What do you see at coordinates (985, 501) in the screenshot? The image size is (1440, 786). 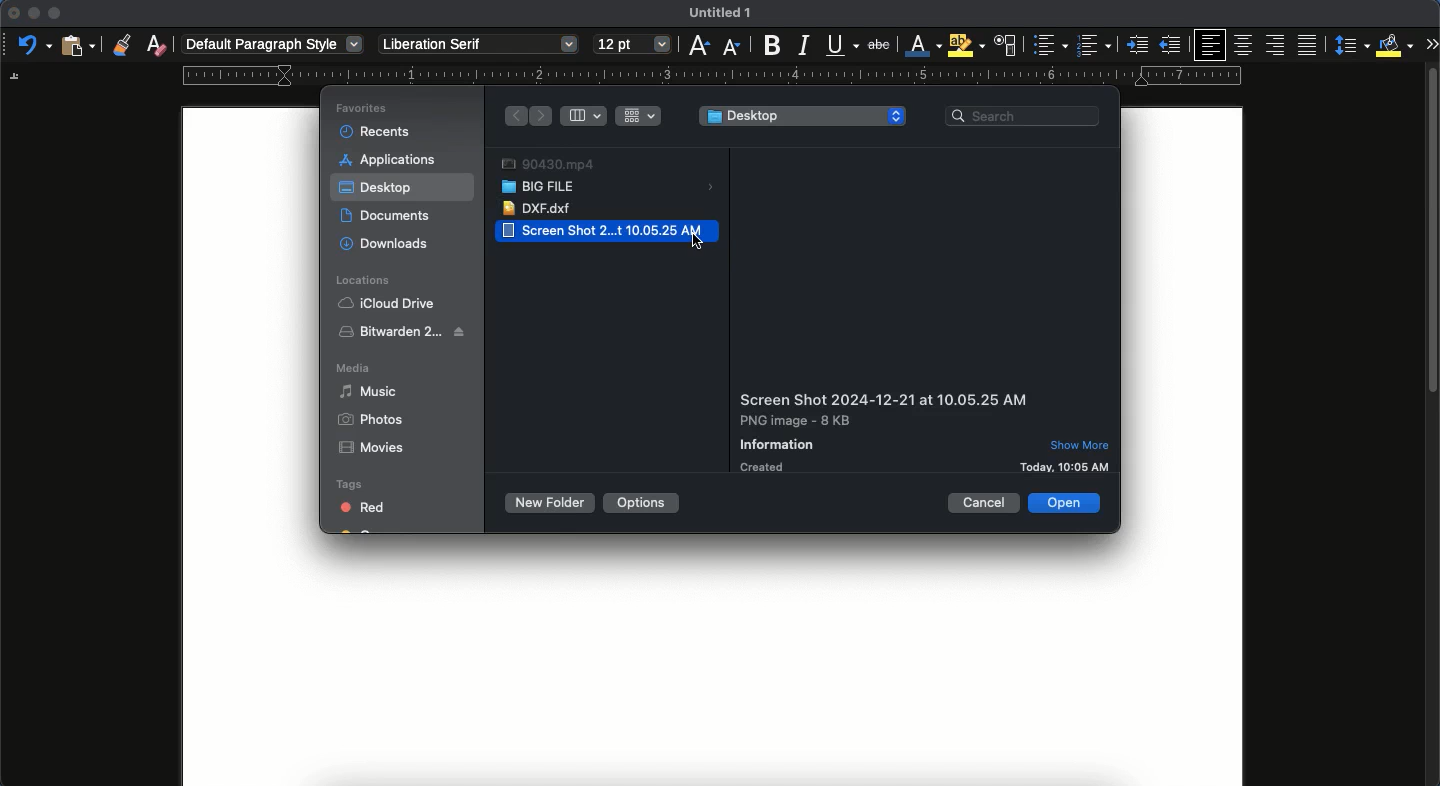 I see `cancel` at bounding box center [985, 501].